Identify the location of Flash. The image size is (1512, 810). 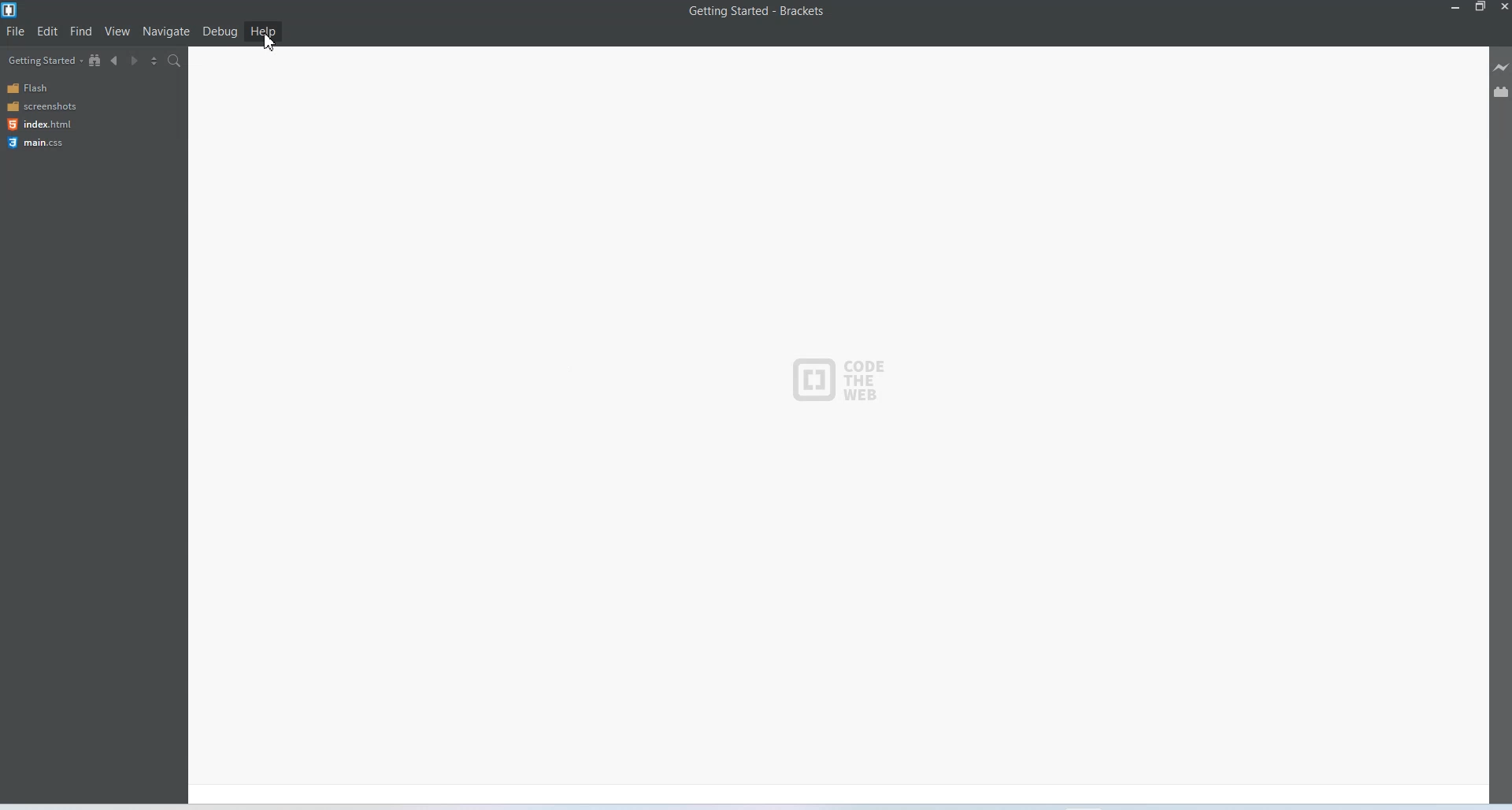
(43, 88).